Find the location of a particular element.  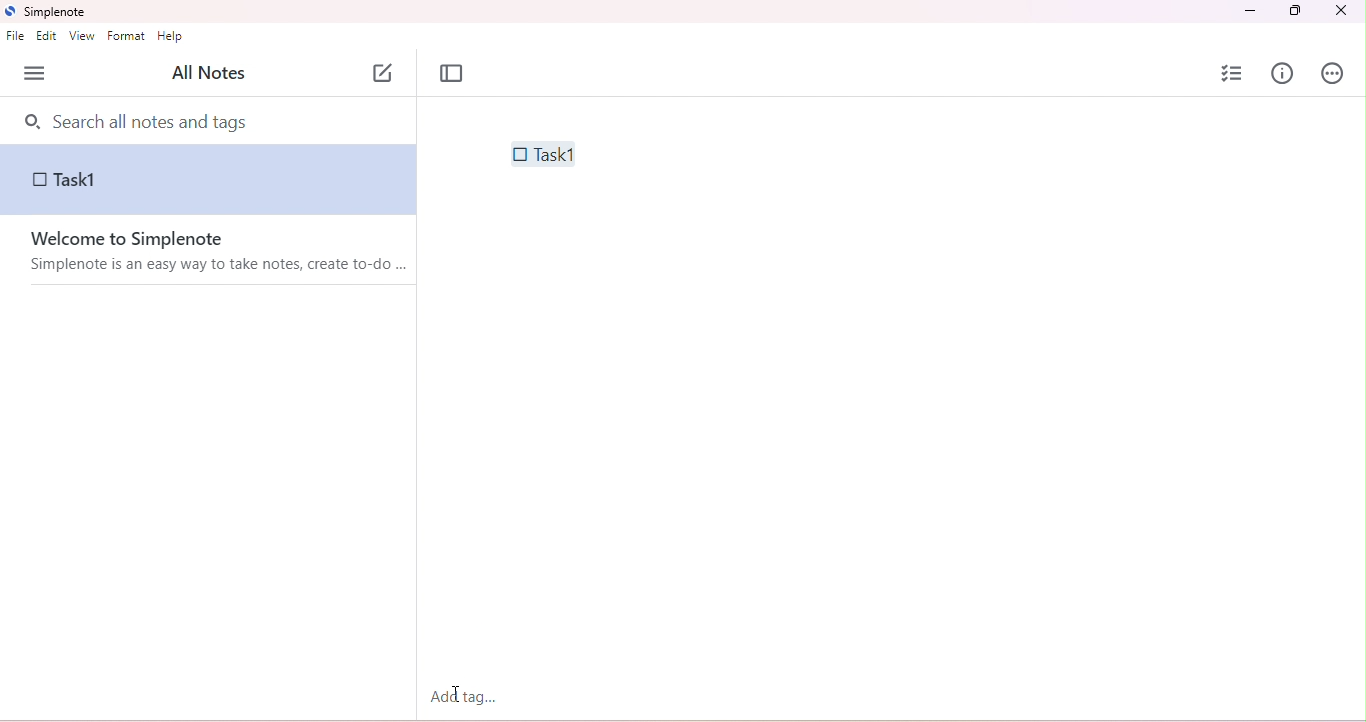

minimize is located at coordinates (1252, 11).